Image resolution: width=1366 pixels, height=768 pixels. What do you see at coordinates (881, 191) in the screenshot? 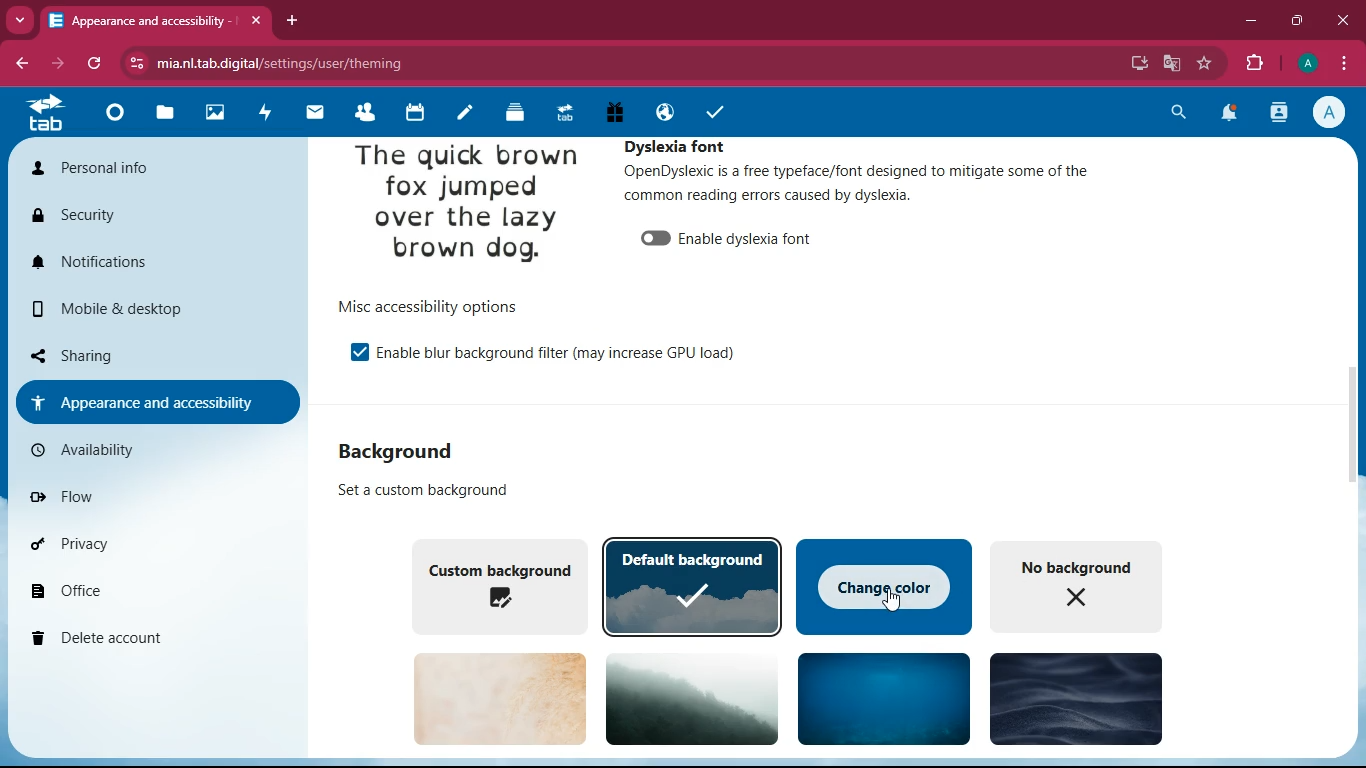
I see `OpenDyslexic is a free typeface/font designed to mitigate some of the  common reading errors caused by dyslexia.` at bounding box center [881, 191].